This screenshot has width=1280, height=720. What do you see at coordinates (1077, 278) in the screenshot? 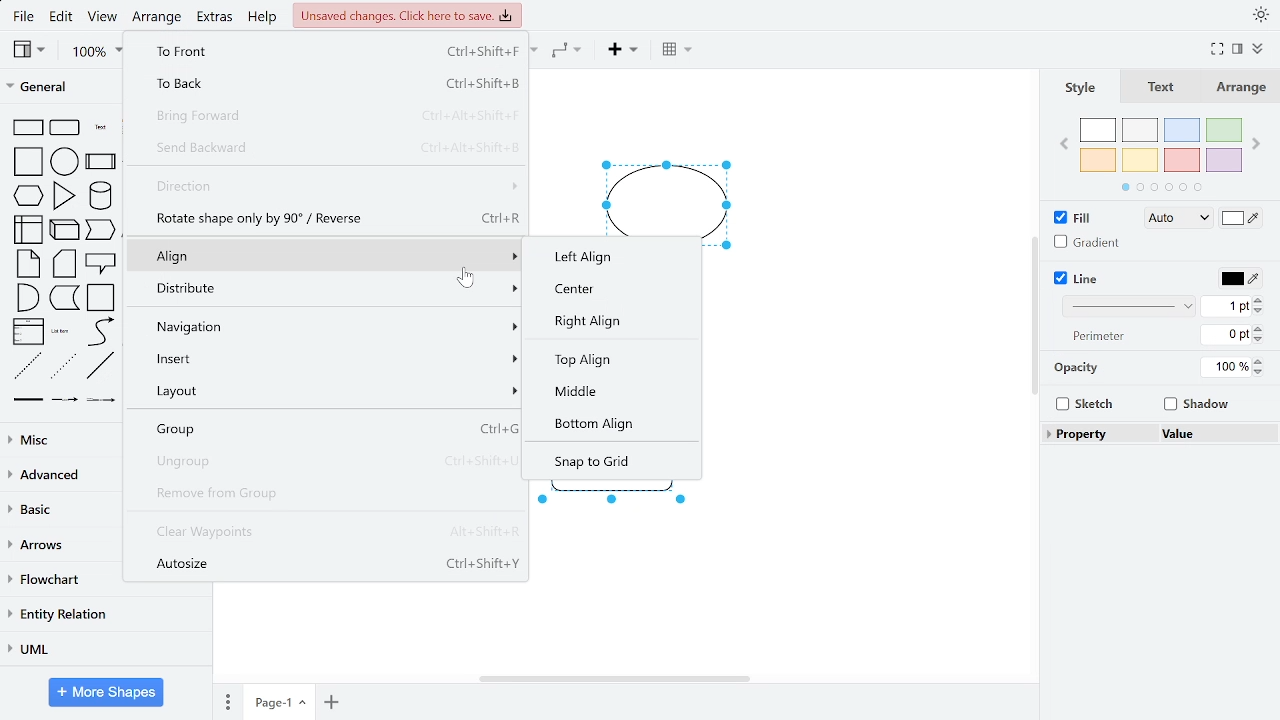
I see `Line` at bounding box center [1077, 278].